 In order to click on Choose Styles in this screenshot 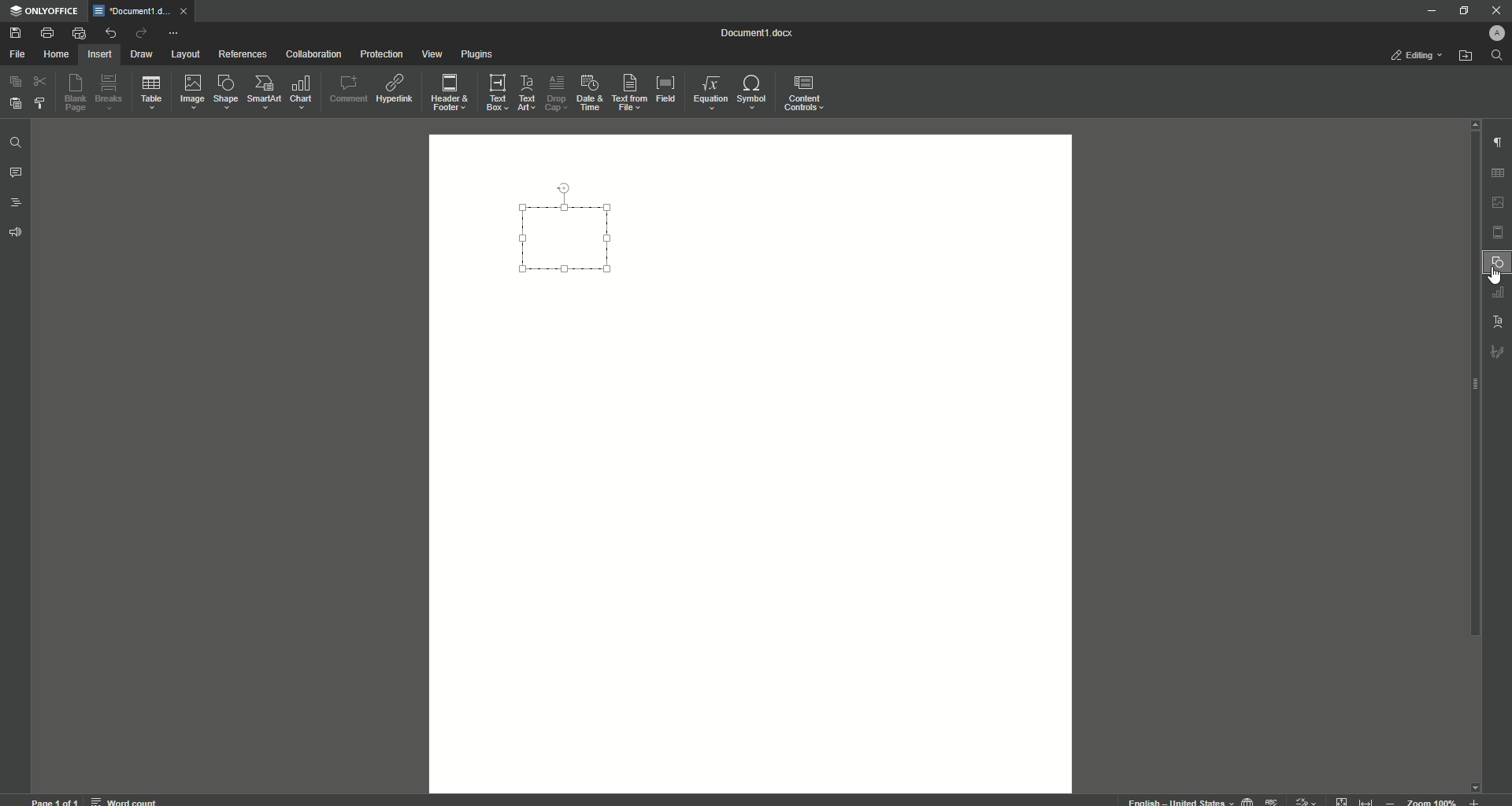, I will do `click(41, 102)`.